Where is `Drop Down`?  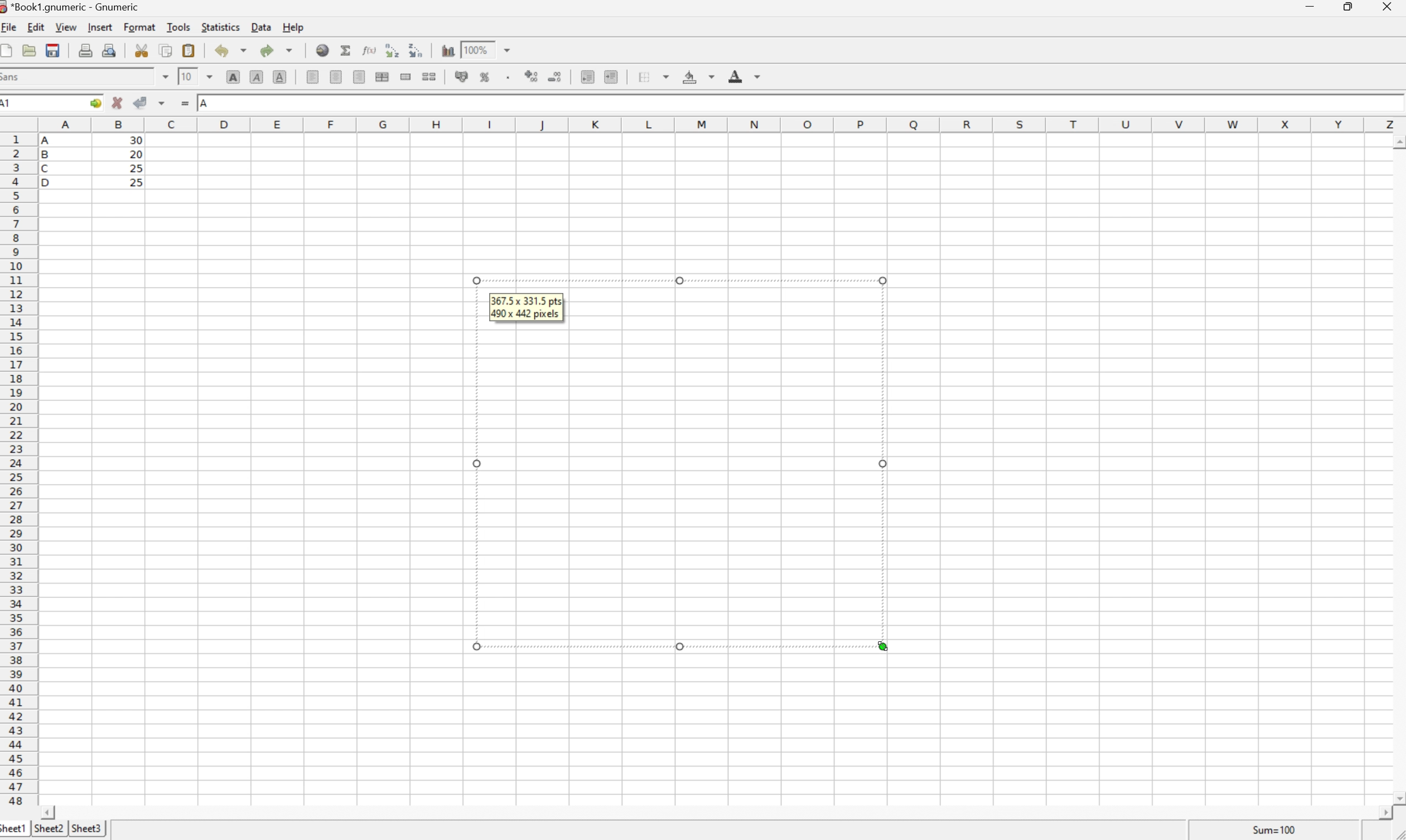
Drop Down is located at coordinates (511, 49).